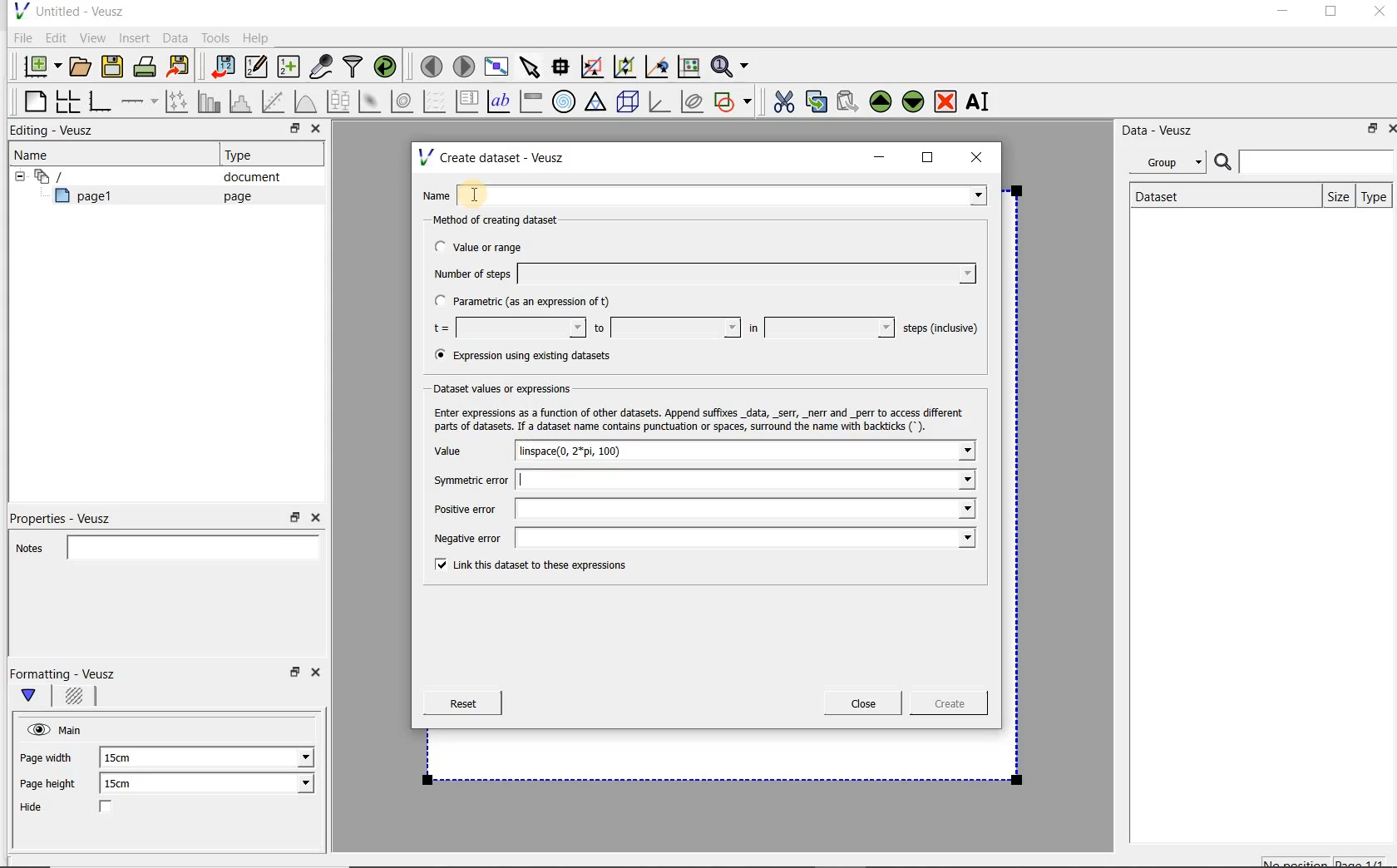  Describe the element at coordinates (508, 220) in the screenshot. I see `Method of creating dataset:` at that location.